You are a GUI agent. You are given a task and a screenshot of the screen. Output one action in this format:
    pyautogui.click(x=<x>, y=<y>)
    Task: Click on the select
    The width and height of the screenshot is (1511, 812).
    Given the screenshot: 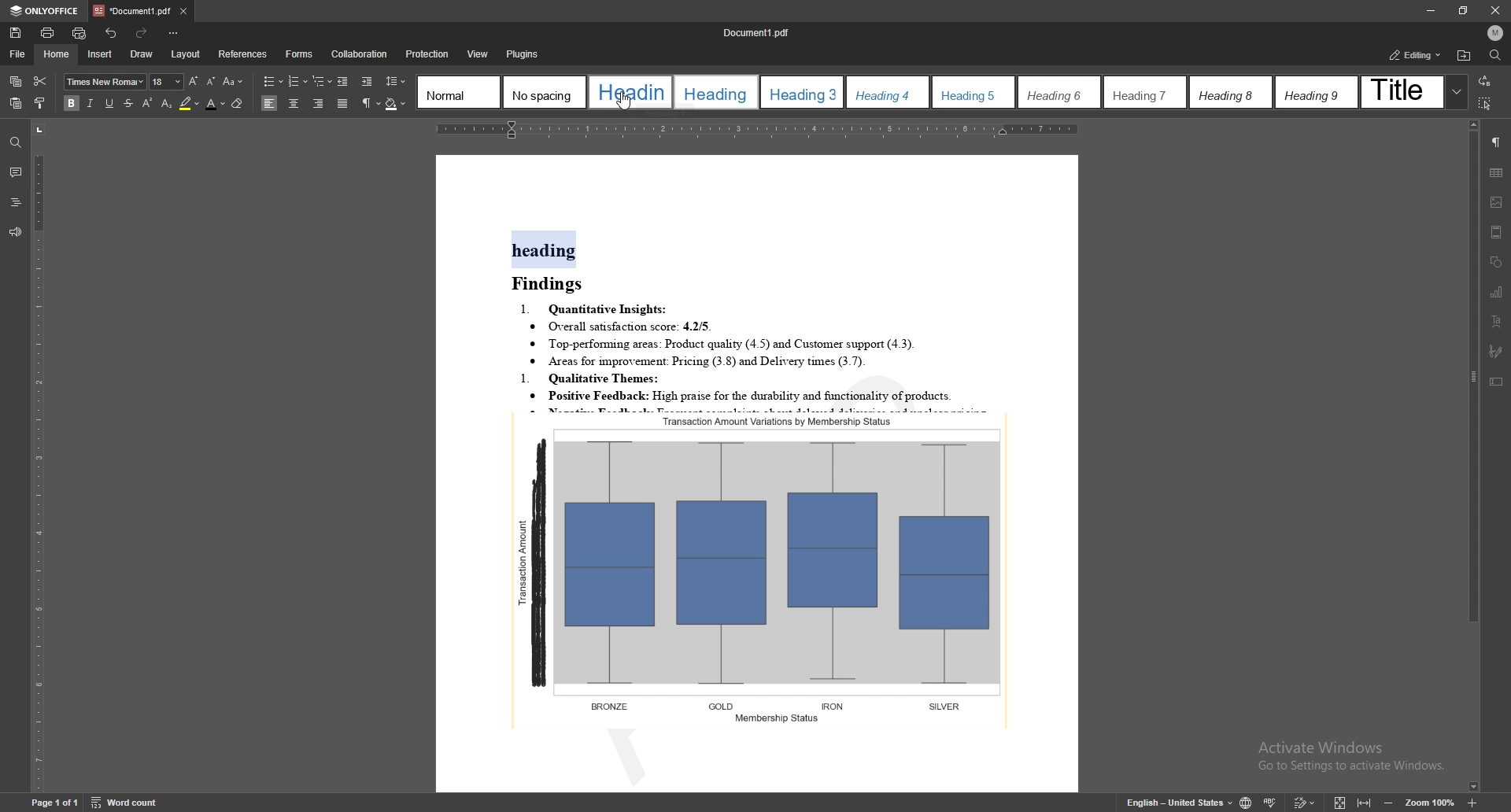 What is the action you would take?
    pyautogui.click(x=1486, y=102)
    